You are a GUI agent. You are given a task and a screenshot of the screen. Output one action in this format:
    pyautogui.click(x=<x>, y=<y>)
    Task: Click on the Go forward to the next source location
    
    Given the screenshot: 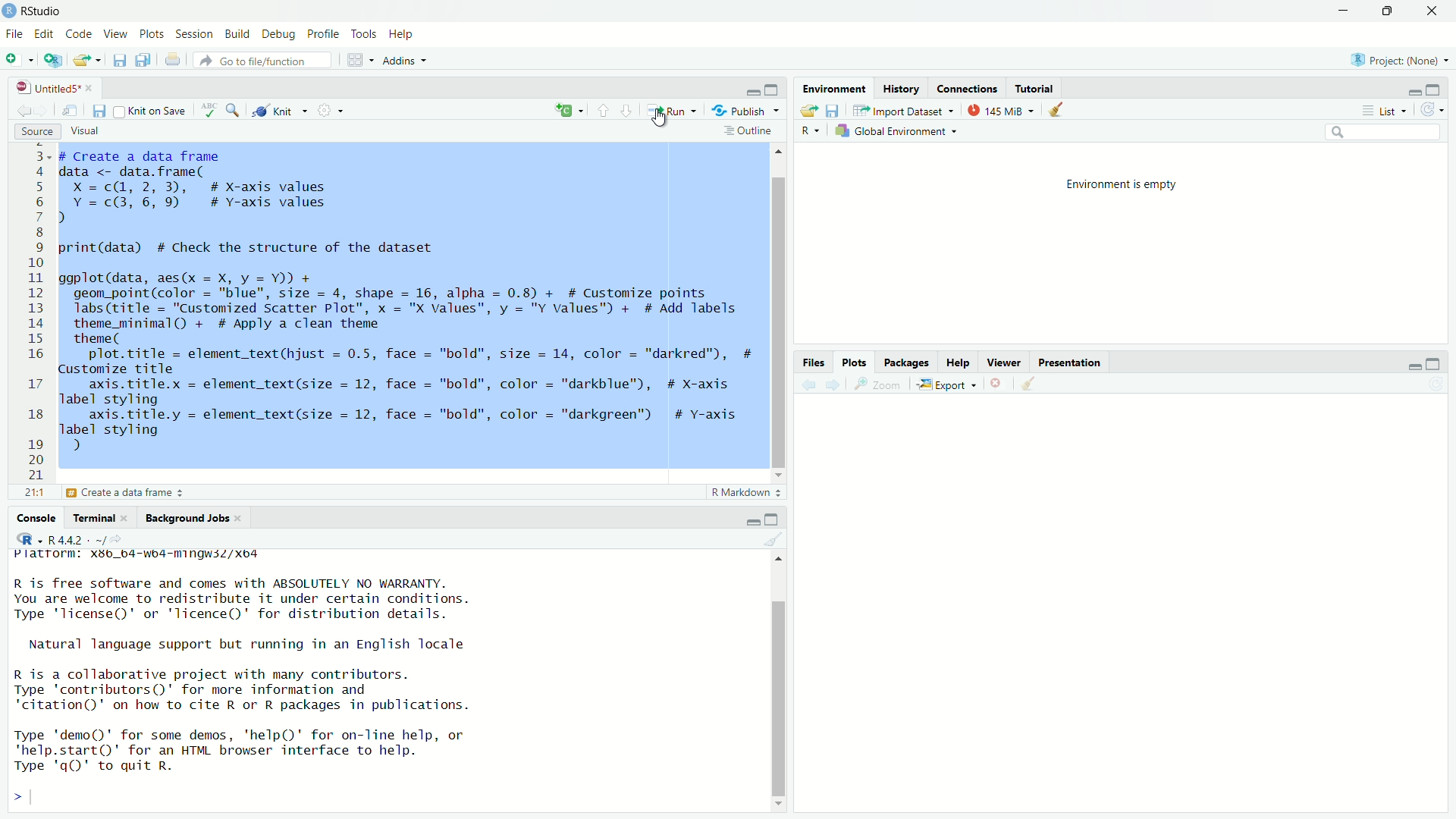 What is the action you would take?
    pyautogui.click(x=49, y=112)
    